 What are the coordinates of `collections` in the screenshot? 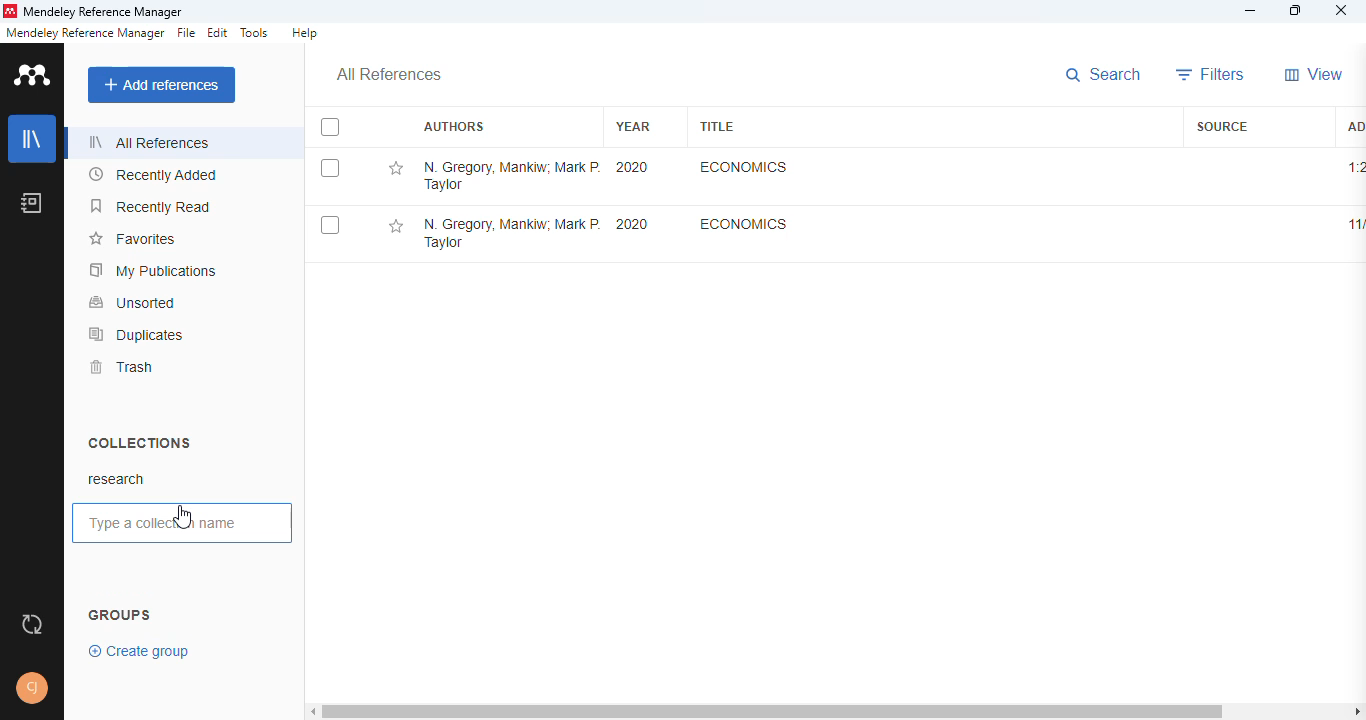 It's located at (139, 442).